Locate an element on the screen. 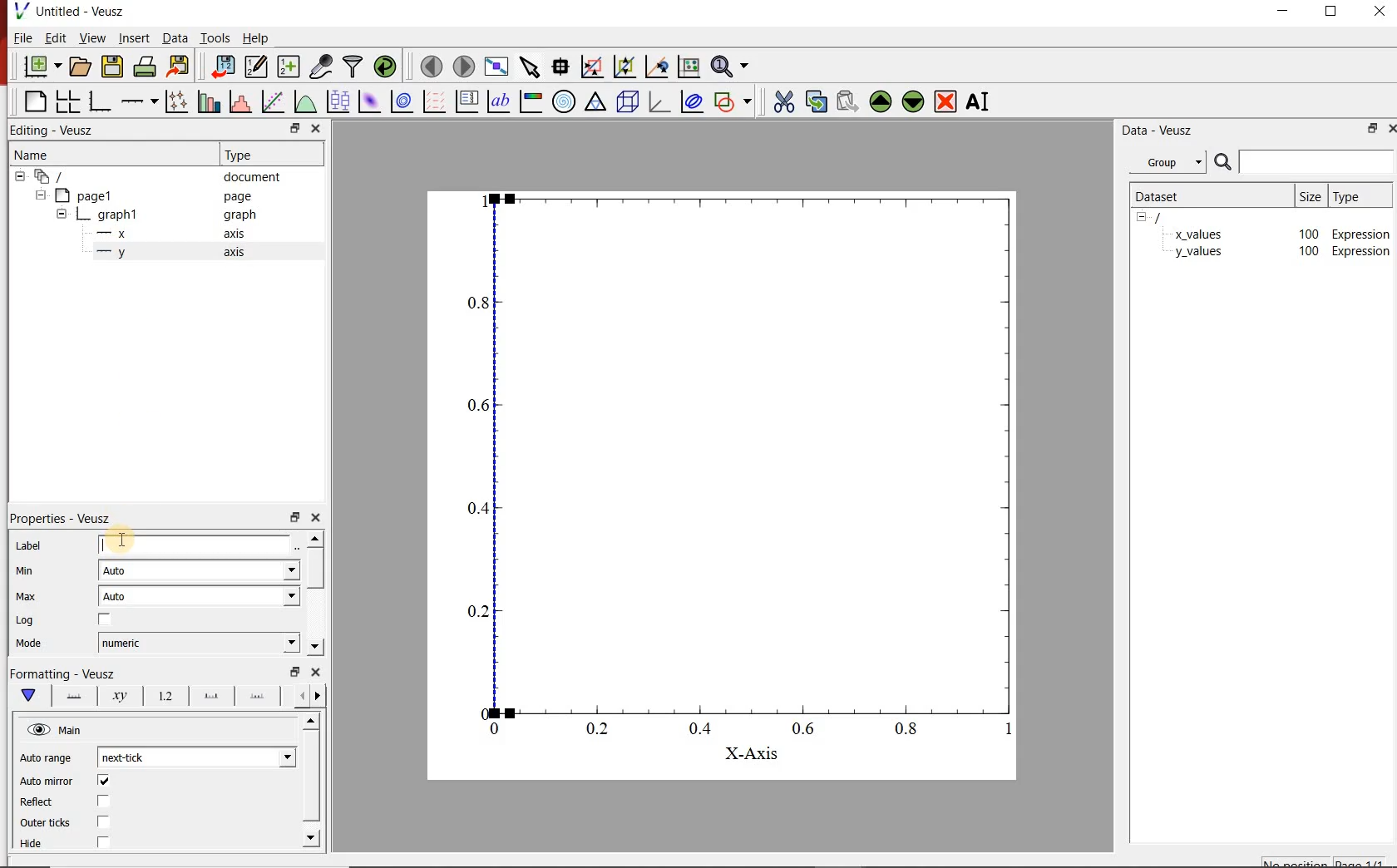 This screenshot has height=868, width=1397. plot 2d dataset as contours is located at coordinates (403, 101).